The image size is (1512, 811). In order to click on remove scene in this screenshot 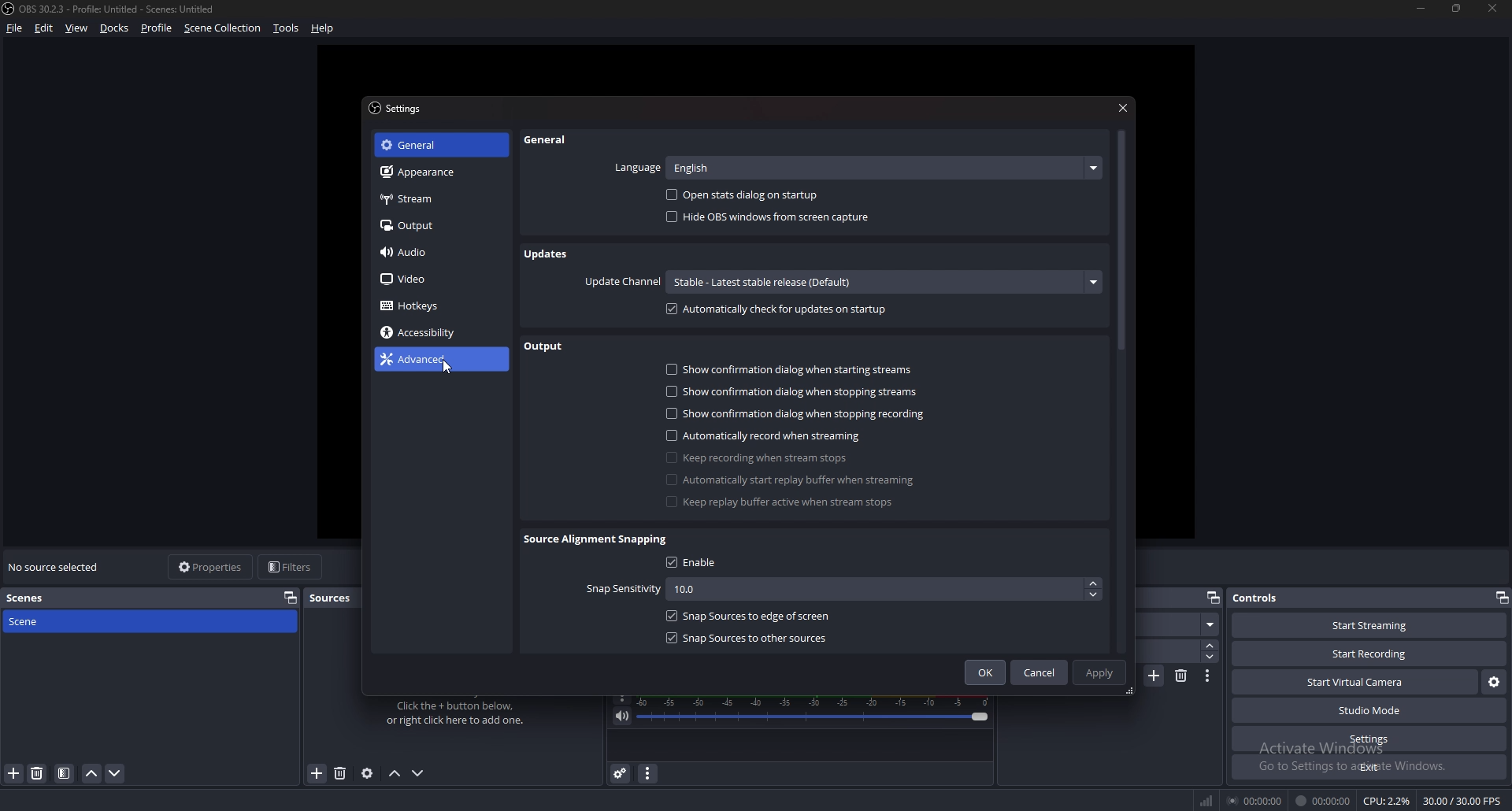, I will do `click(1182, 676)`.